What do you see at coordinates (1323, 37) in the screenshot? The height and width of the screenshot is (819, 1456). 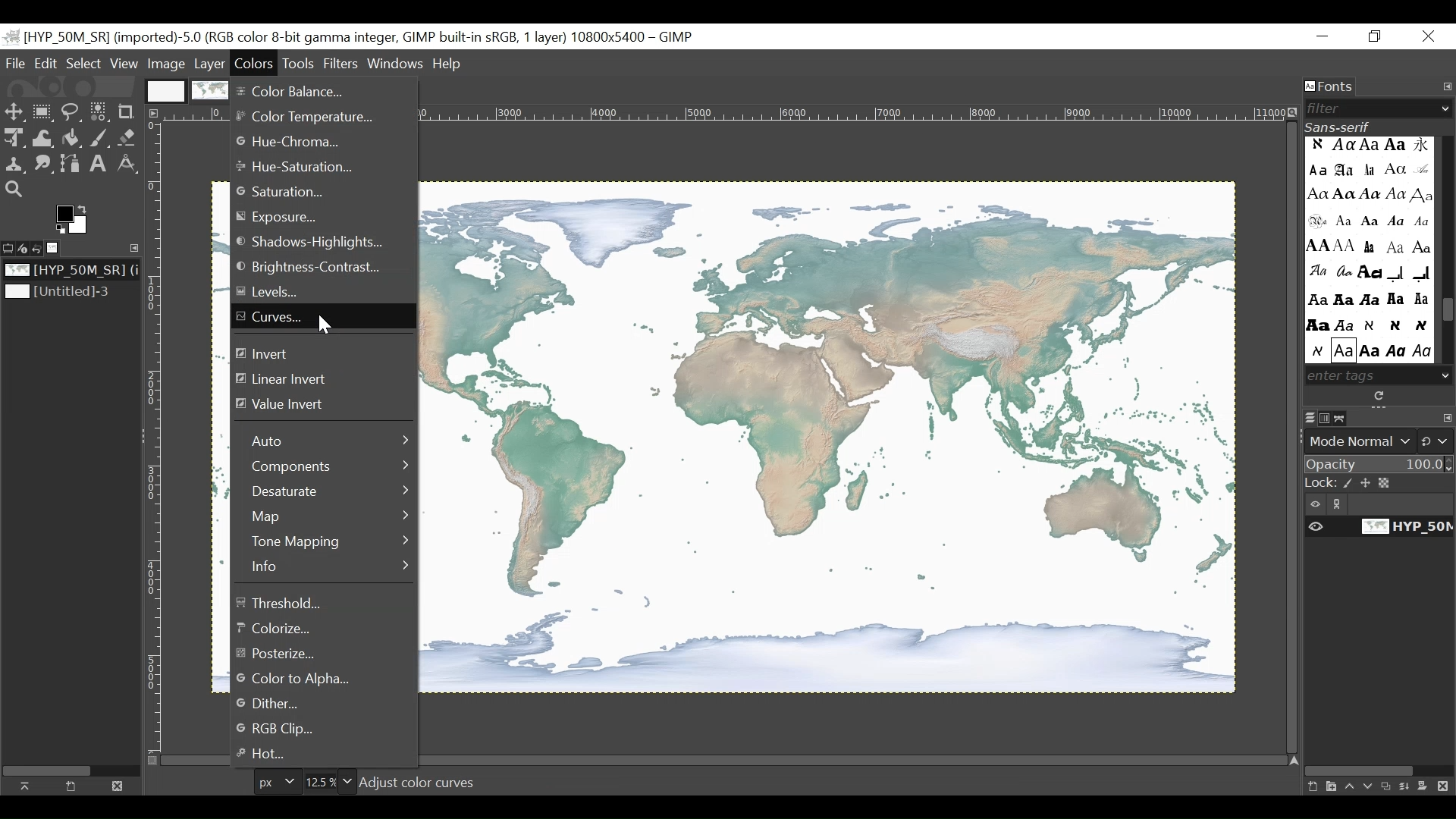 I see `Minimize` at bounding box center [1323, 37].